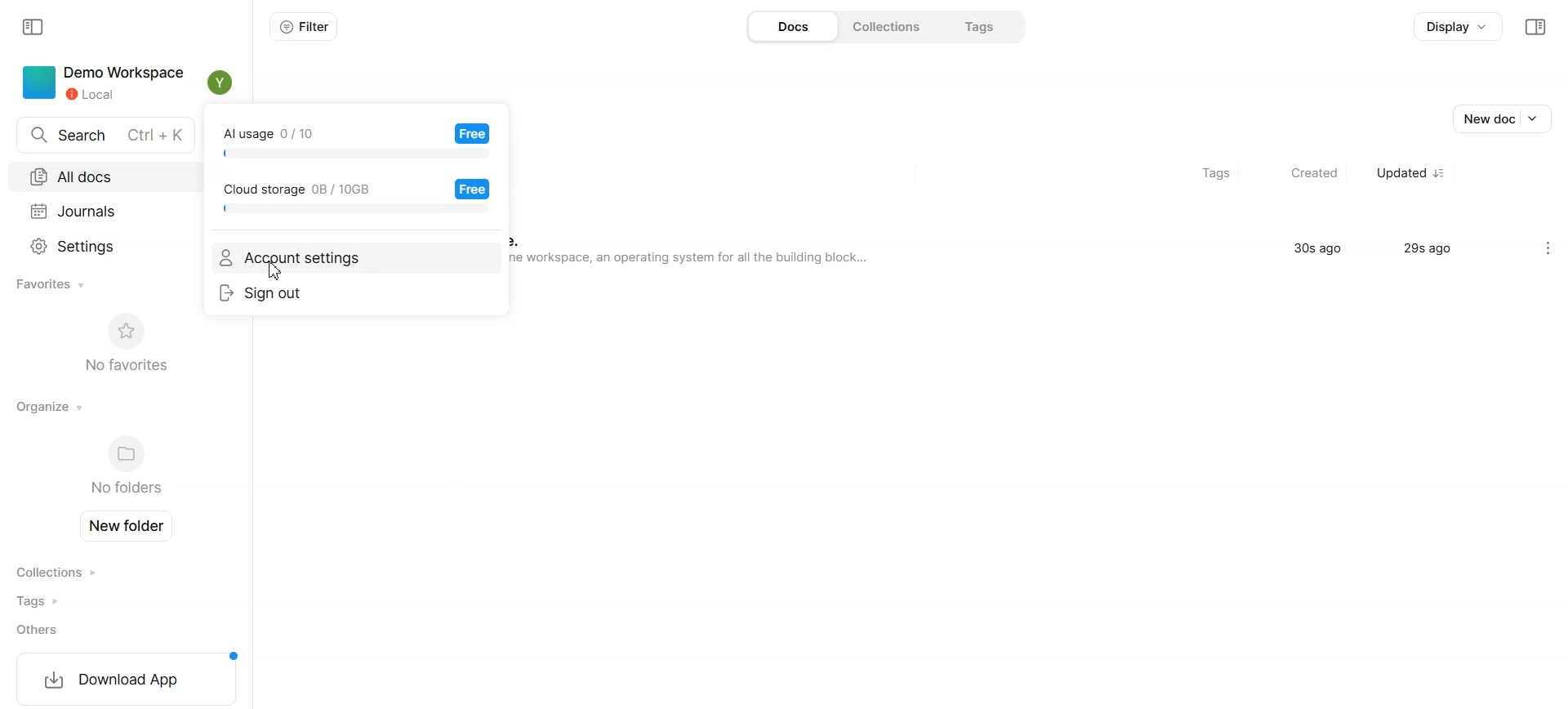 Image resolution: width=1568 pixels, height=709 pixels. Describe the element at coordinates (298, 29) in the screenshot. I see `filter` at that location.